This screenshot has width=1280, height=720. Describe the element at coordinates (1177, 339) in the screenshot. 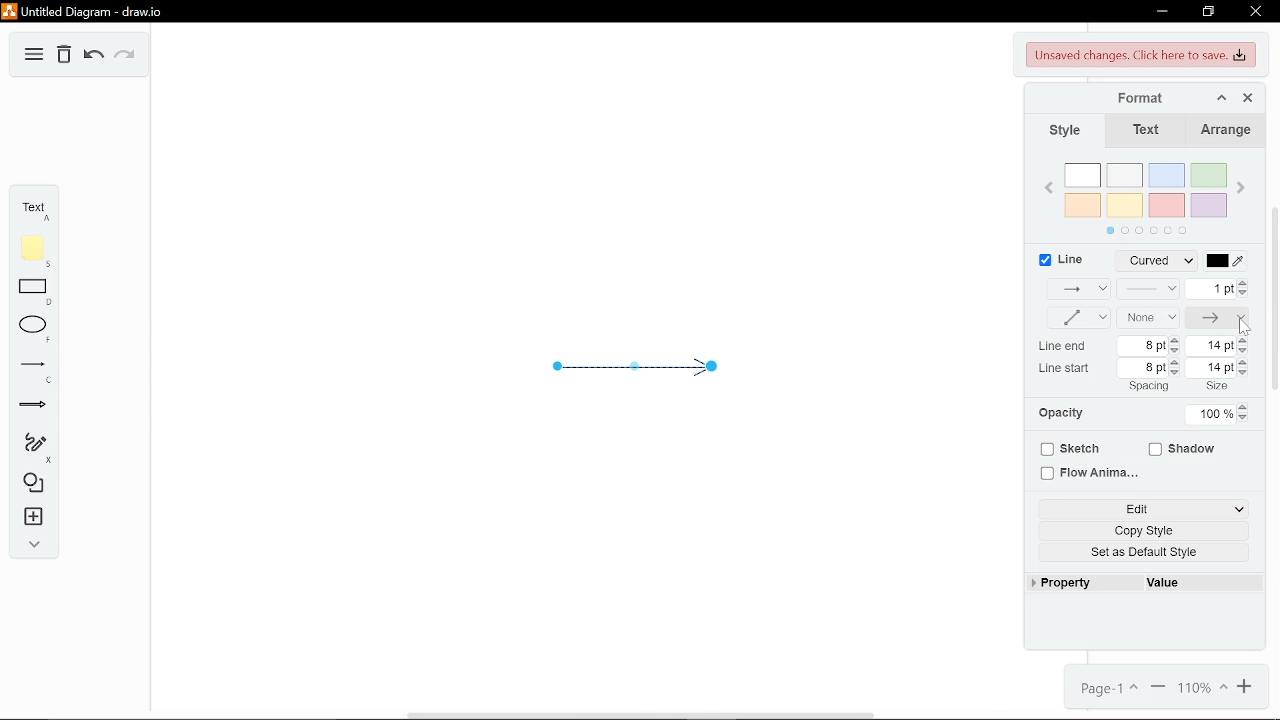

I see `Increase LIne end spacing` at that location.